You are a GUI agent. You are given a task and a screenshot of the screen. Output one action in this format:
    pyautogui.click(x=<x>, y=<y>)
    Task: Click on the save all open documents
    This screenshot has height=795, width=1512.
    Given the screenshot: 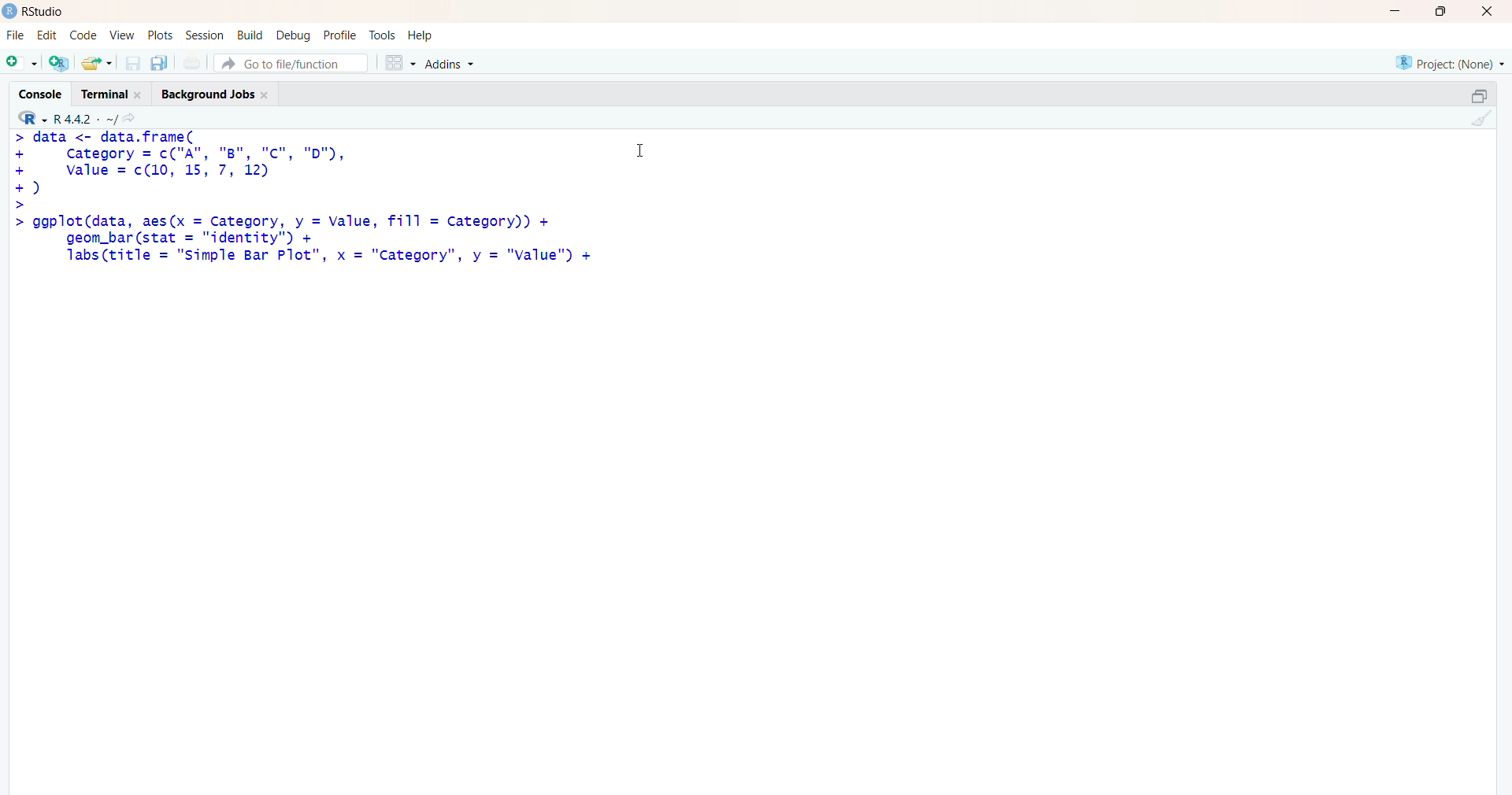 What is the action you would take?
    pyautogui.click(x=158, y=63)
    